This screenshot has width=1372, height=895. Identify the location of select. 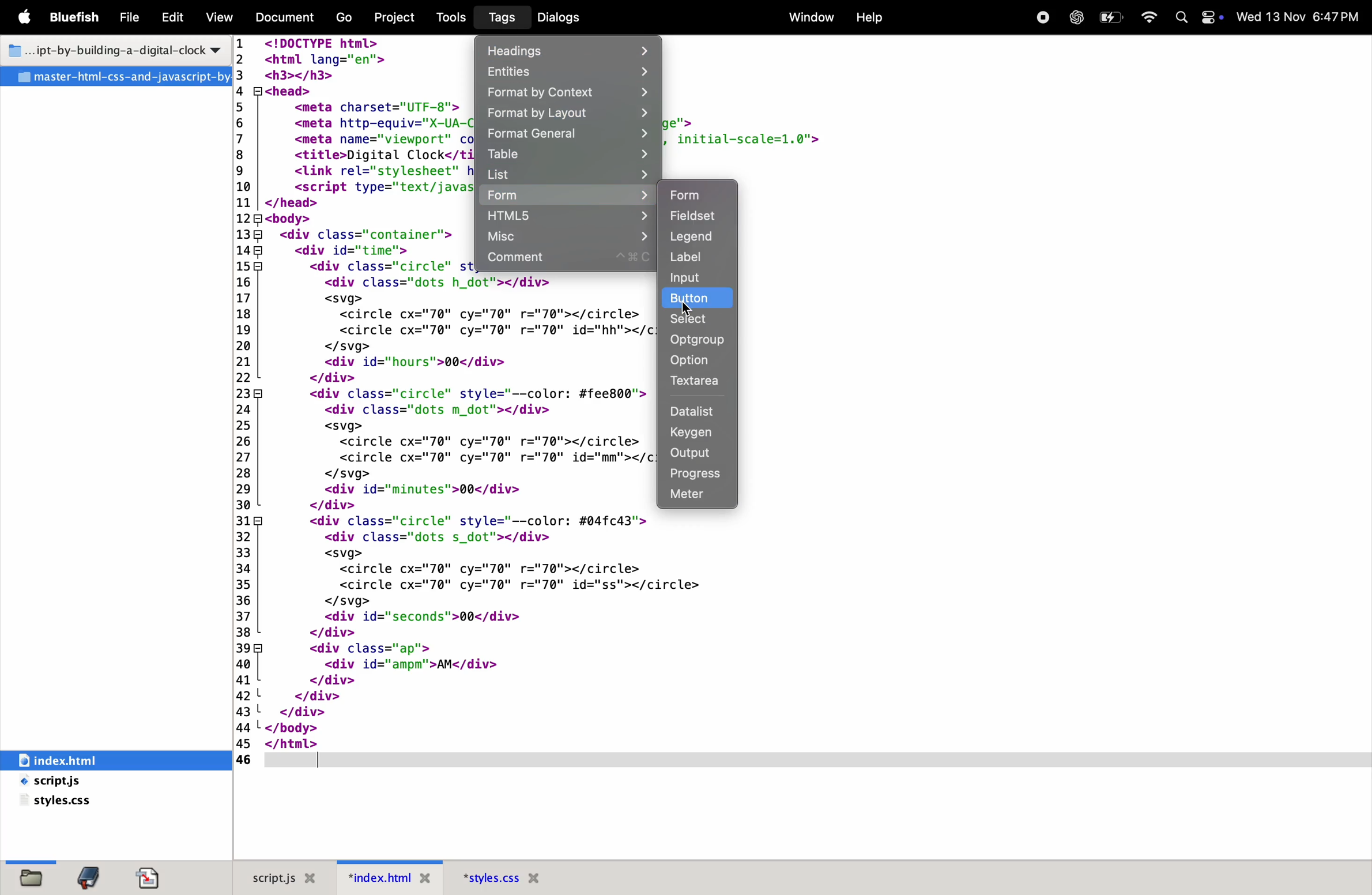
(691, 318).